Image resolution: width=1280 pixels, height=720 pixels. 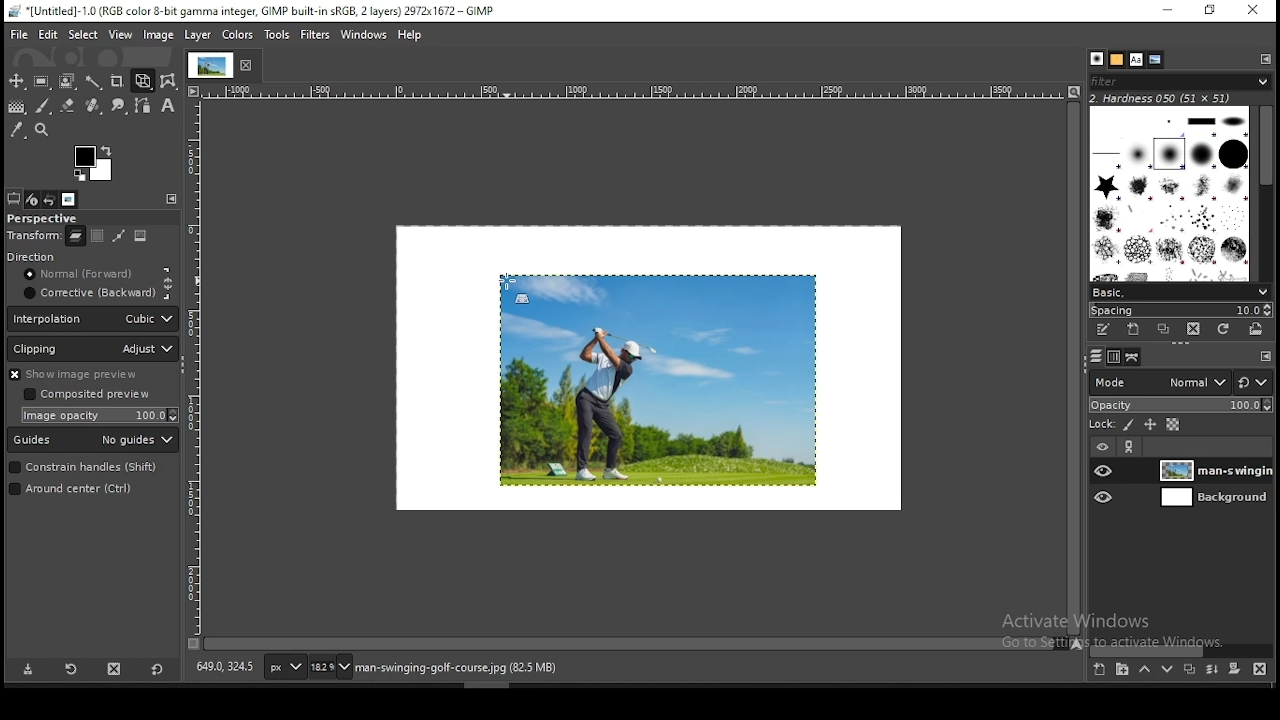 What do you see at coordinates (654, 378) in the screenshot?
I see `image` at bounding box center [654, 378].